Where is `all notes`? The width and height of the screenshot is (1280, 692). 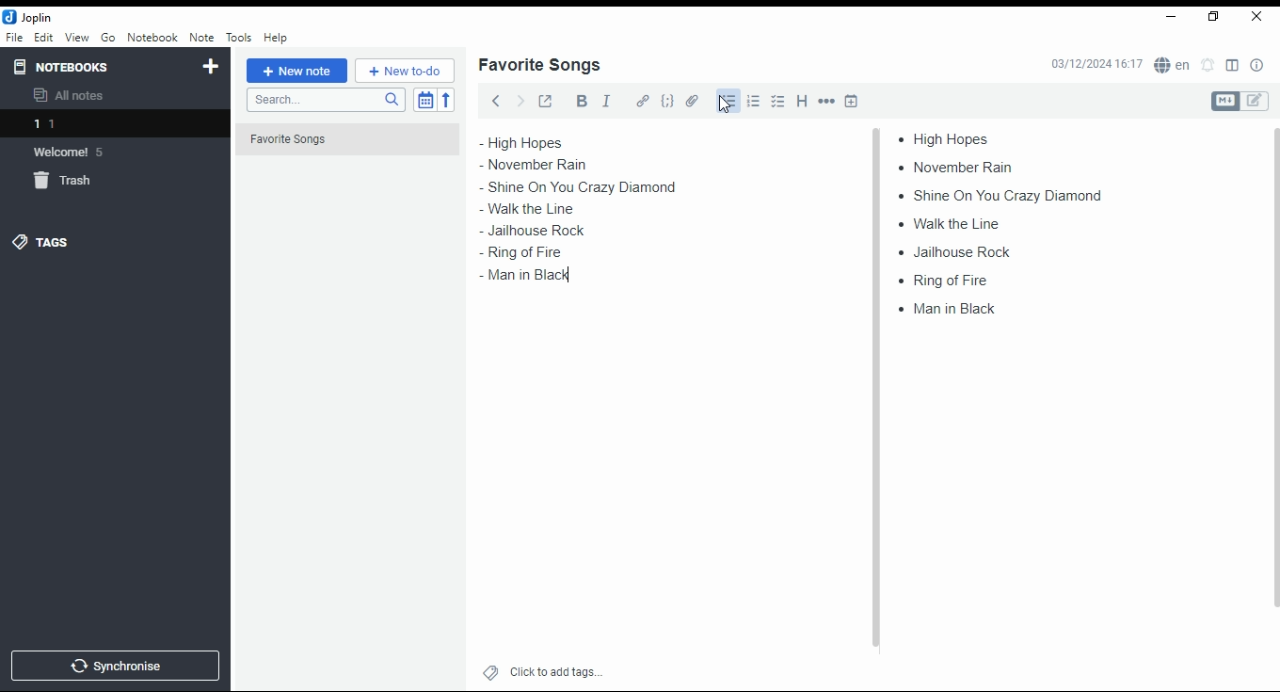
all notes is located at coordinates (74, 96).